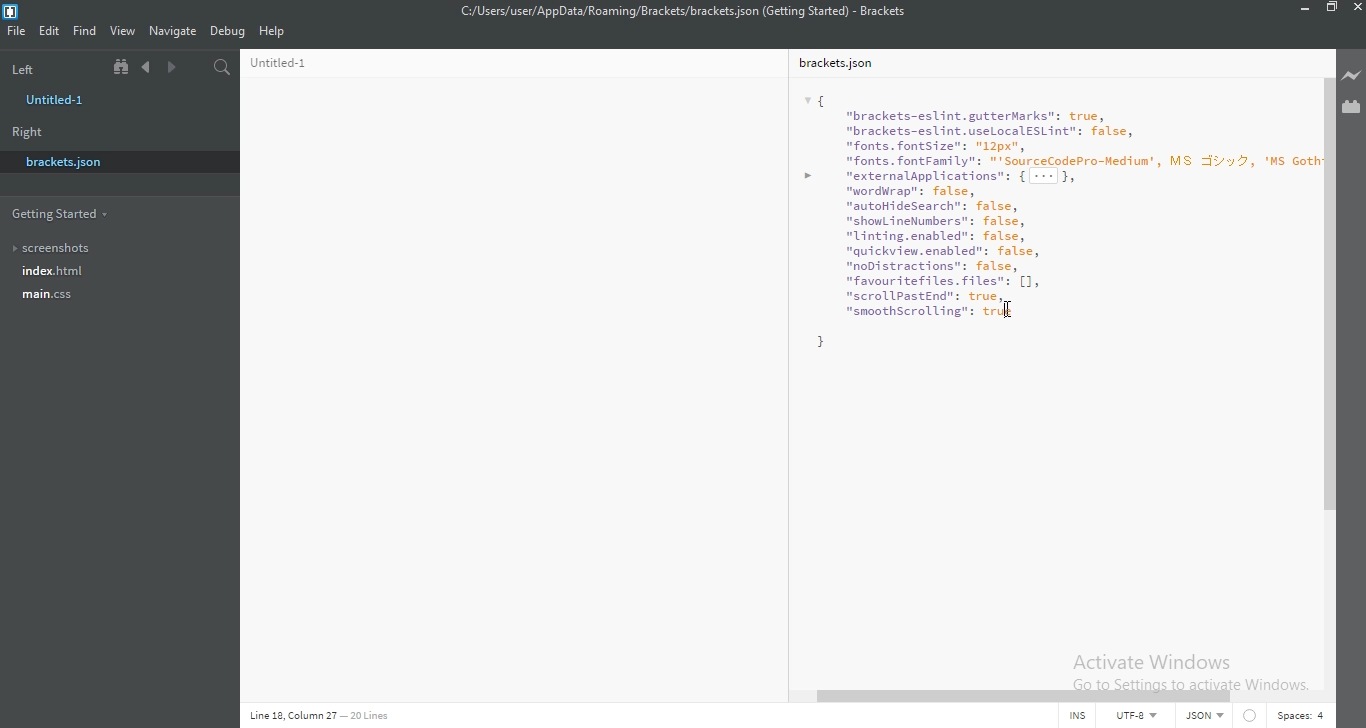  I want to click on Spaces:4, so click(1308, 718).